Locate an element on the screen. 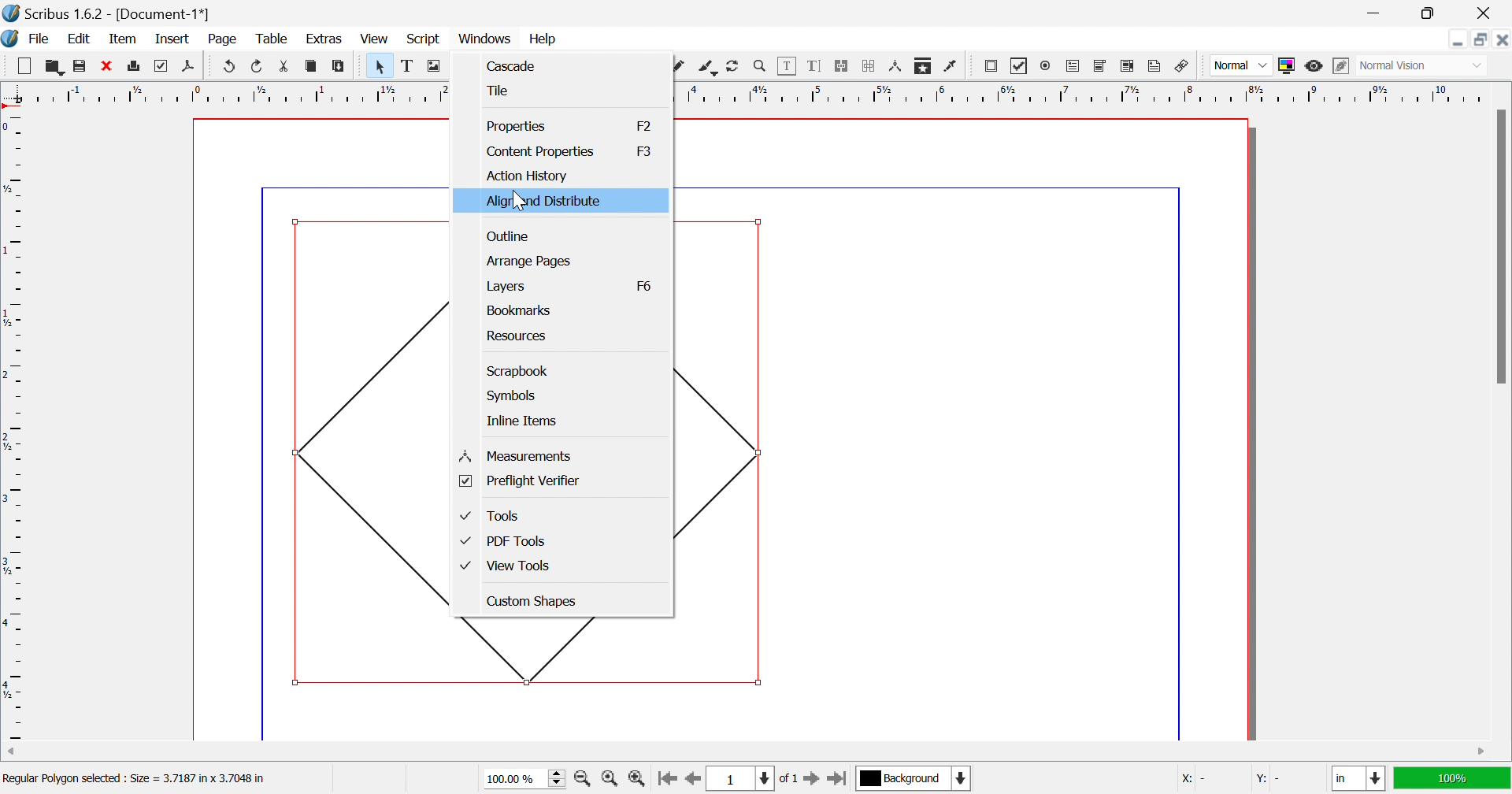 The height and width of the screenshot is (794, 1512). Spiral is located at coordinates (600, 65).